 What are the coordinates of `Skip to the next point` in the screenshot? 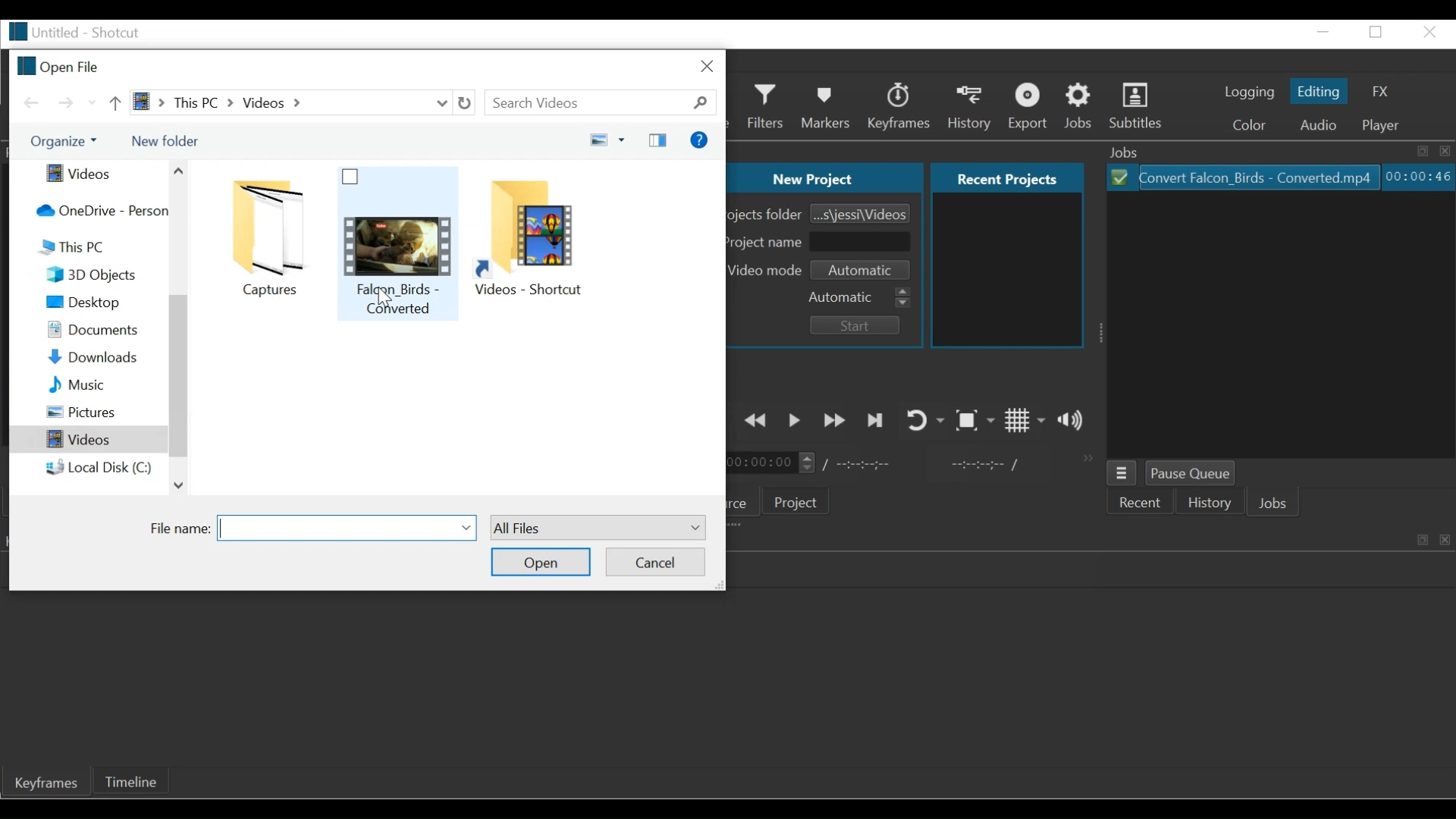 It's located at (876, 420).